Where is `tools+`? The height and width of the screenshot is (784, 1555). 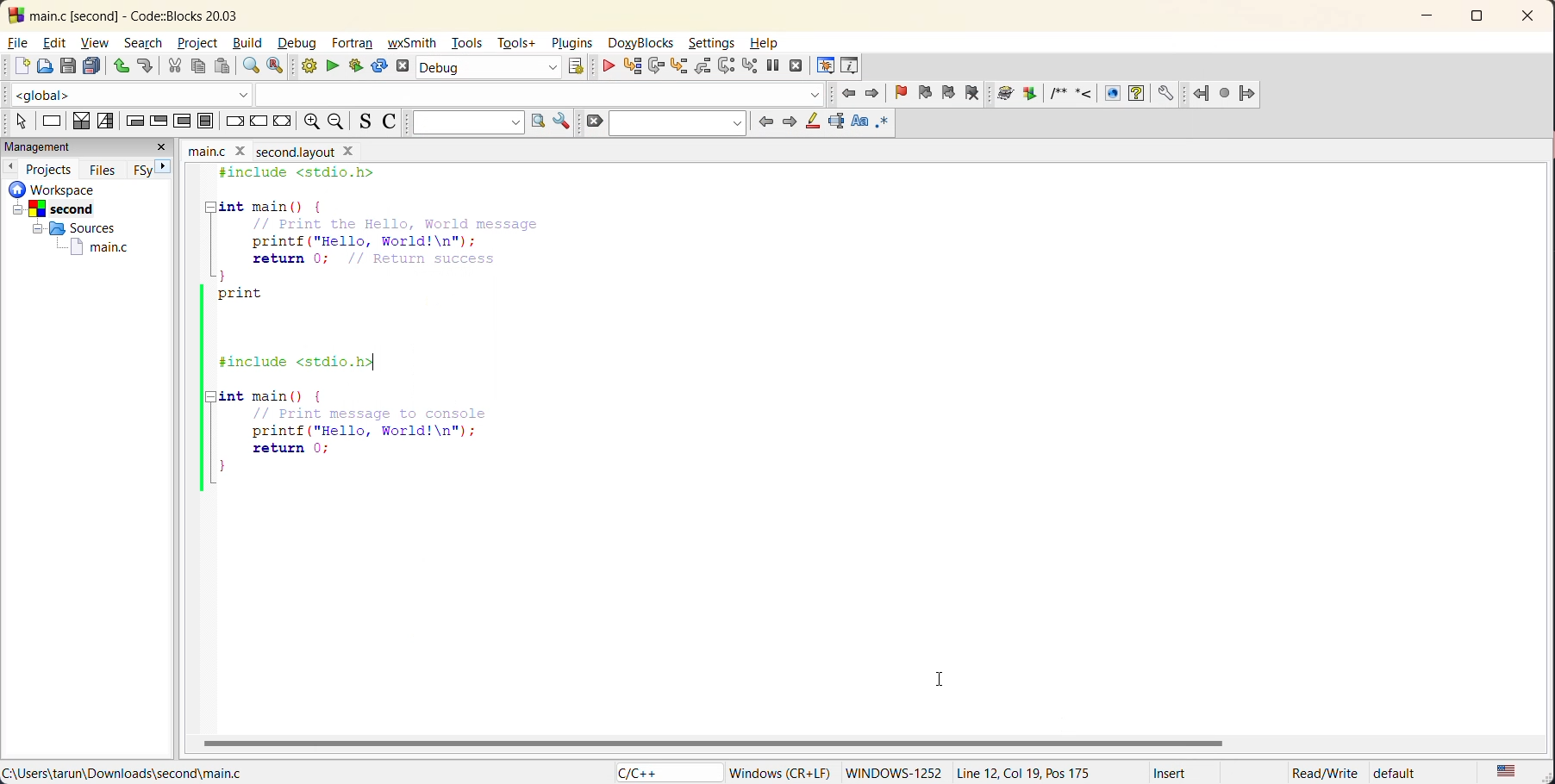
tools+ is located at coordinates (518, 43).